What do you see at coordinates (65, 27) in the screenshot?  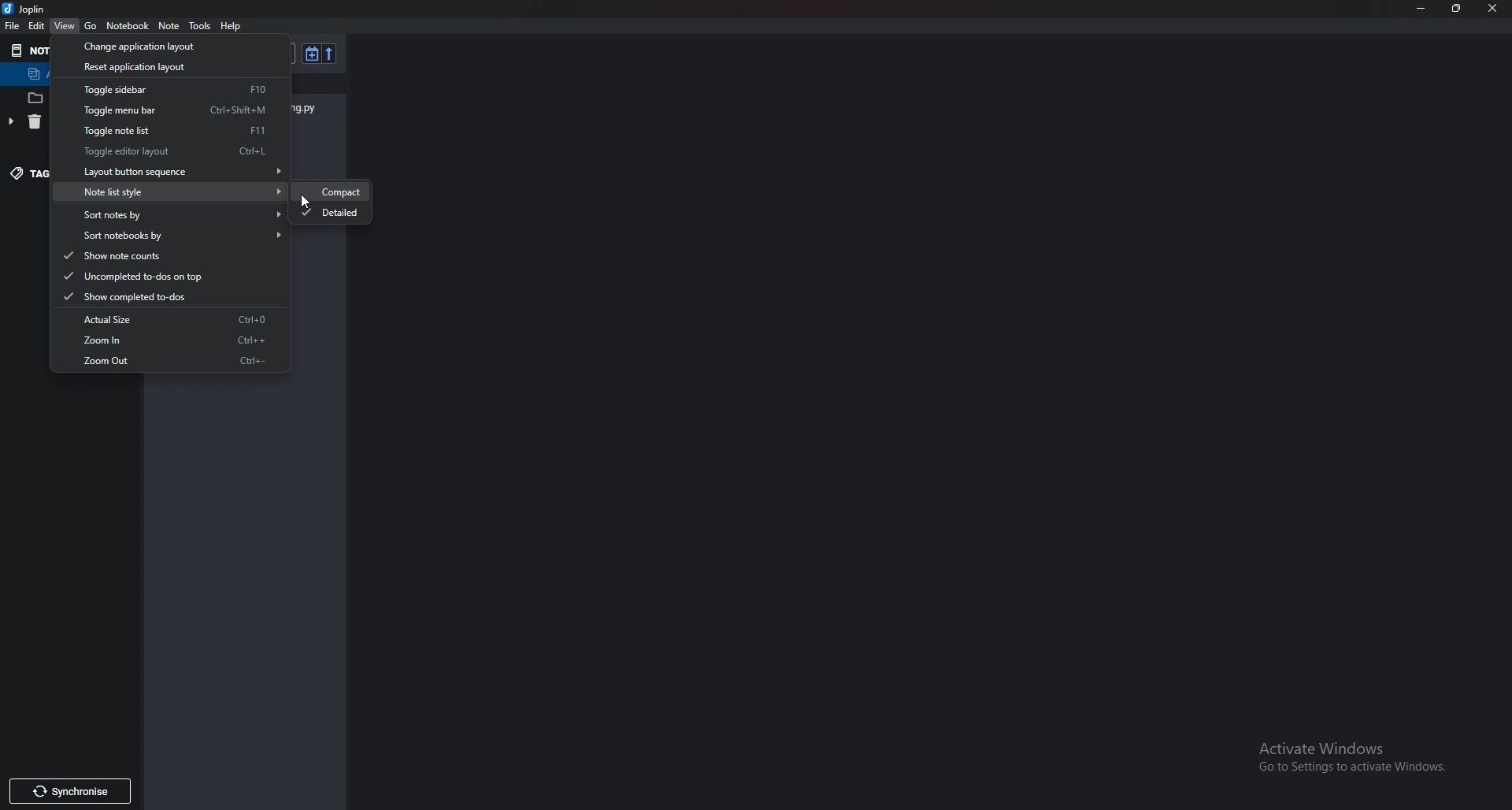 I see `view` at bounding box center [65, 27].